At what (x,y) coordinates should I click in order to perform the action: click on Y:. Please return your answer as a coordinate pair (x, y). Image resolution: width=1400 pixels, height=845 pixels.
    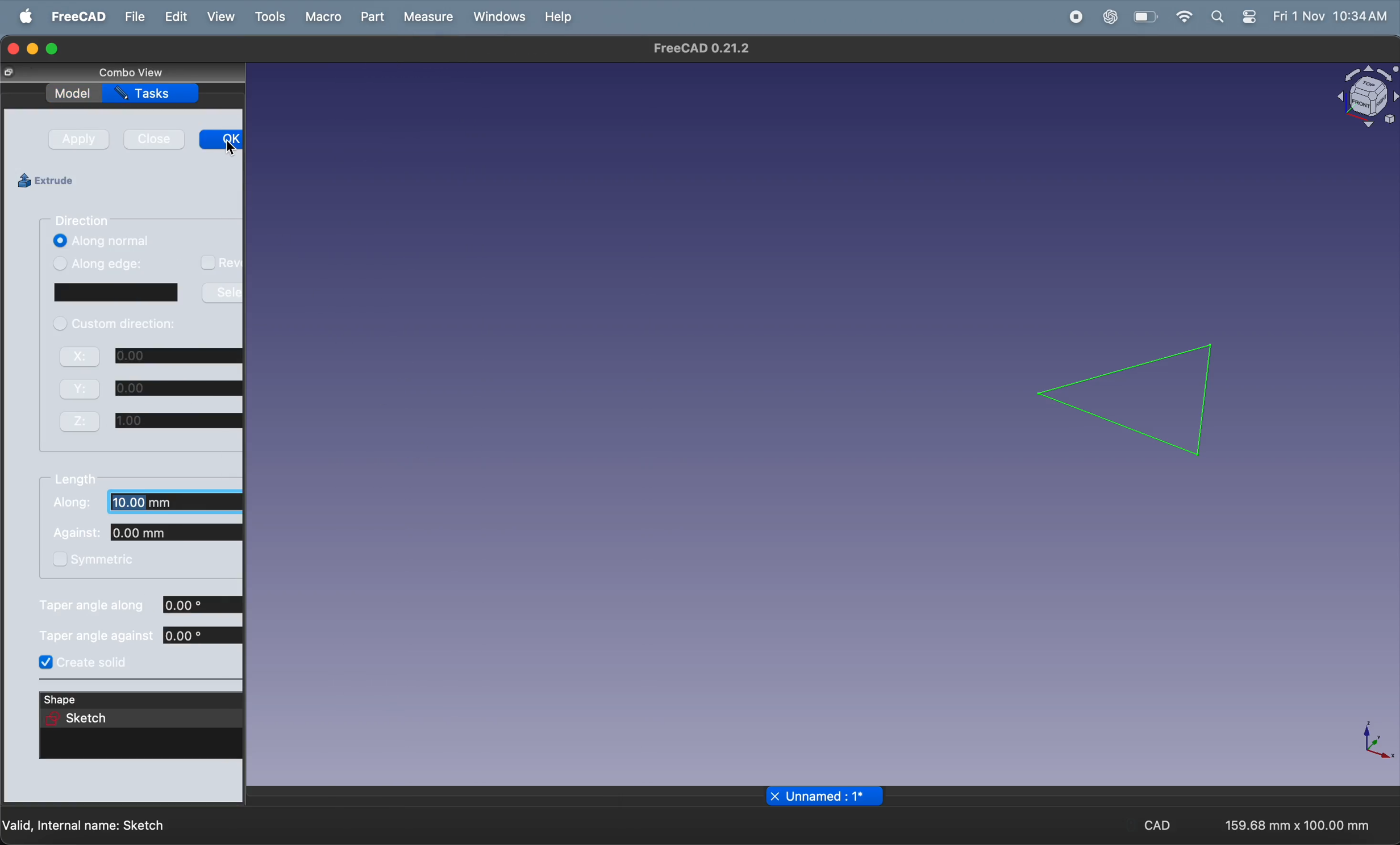
    Looking at the image, I should click on (81, 388).